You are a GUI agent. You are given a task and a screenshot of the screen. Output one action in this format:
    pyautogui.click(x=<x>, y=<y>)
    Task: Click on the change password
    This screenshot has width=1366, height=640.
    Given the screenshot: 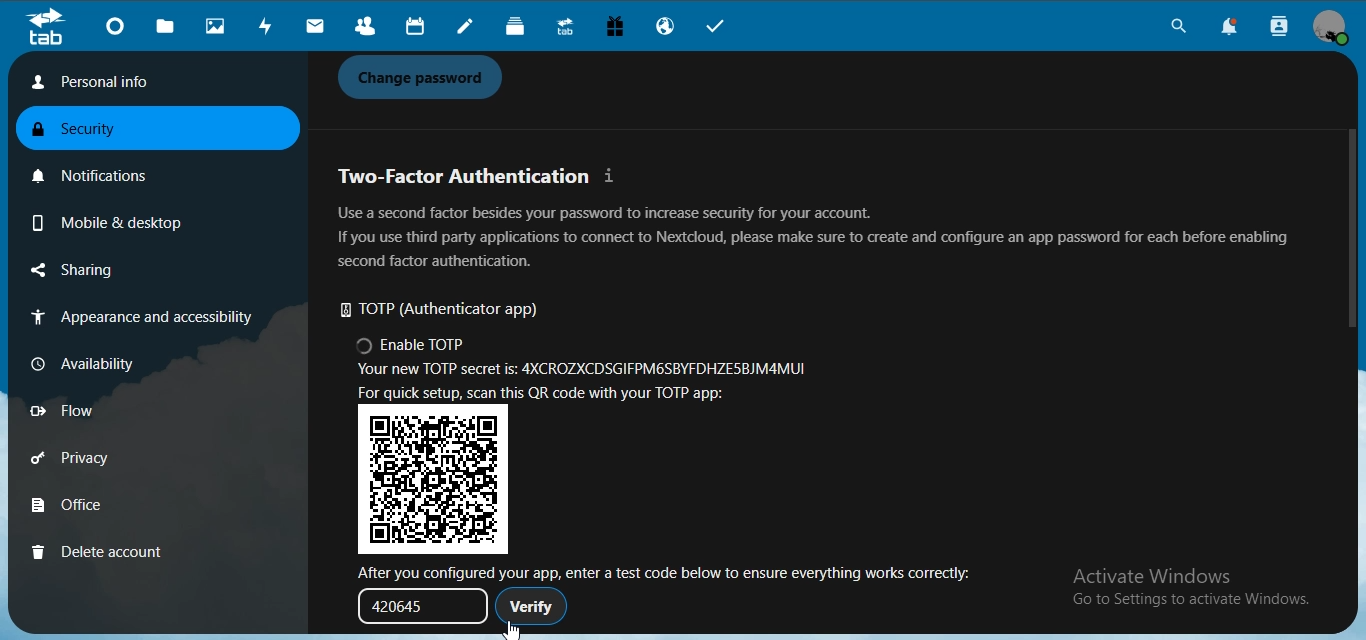 What is the action you would take?
    pyautogui.click(x=426, y=78)
    